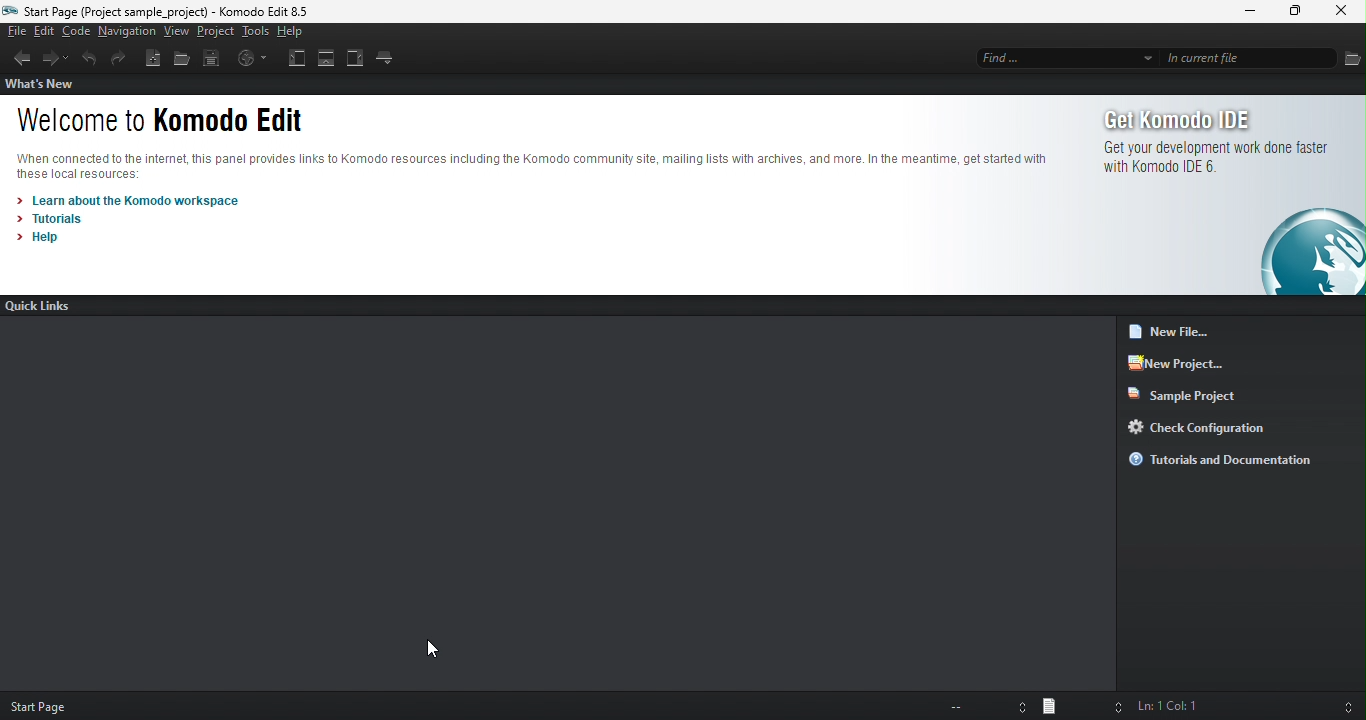  What do you see at coordinates (1345, 706) in the screenshot?
I see `syntax checking` at bounding box center [1345, 706].